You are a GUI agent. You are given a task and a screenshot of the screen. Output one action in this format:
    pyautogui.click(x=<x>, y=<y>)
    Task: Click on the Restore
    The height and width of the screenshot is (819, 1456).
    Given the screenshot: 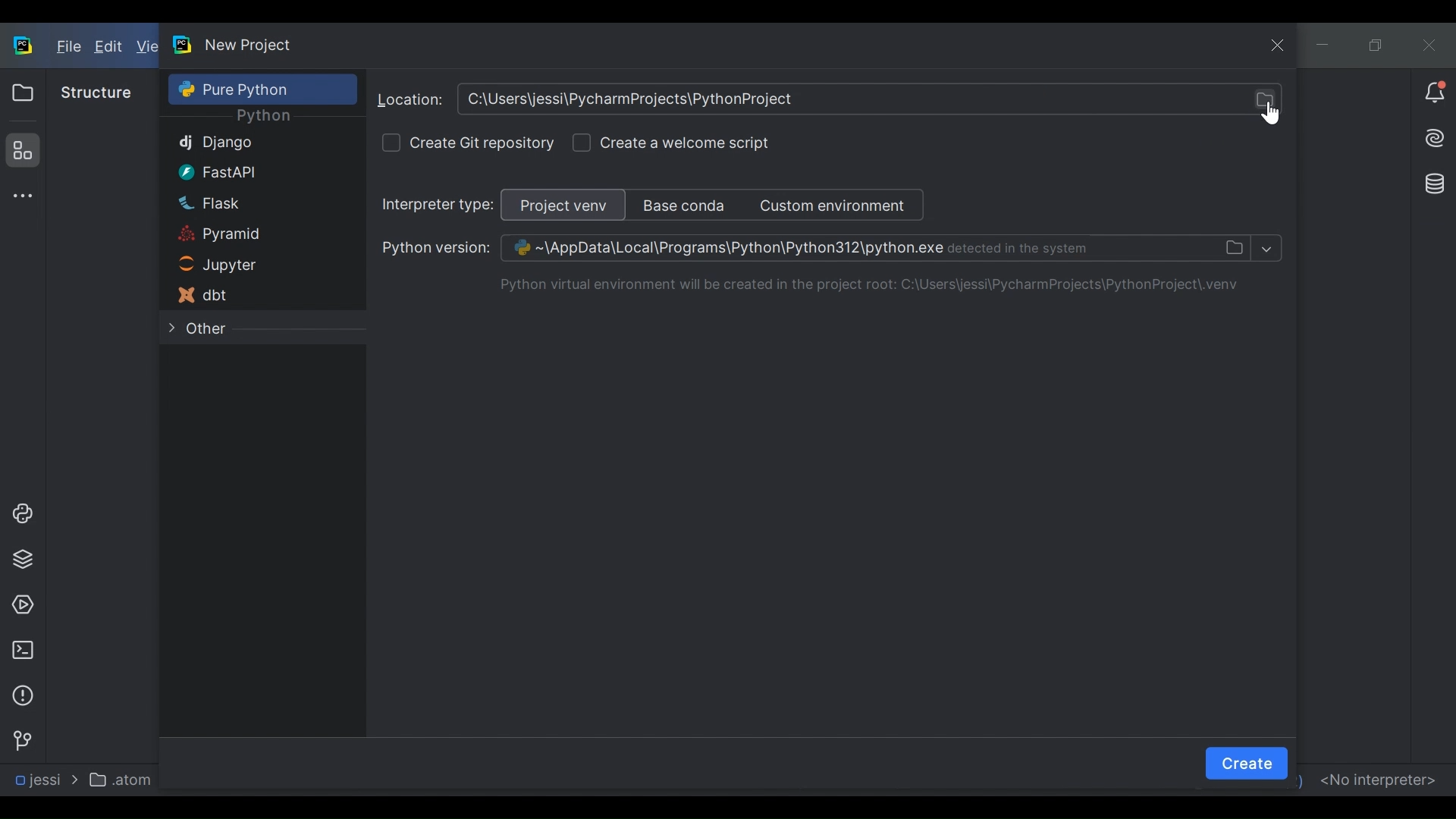 What is the action you would take?
    pyautogui.click(x=1376, y=45)
    